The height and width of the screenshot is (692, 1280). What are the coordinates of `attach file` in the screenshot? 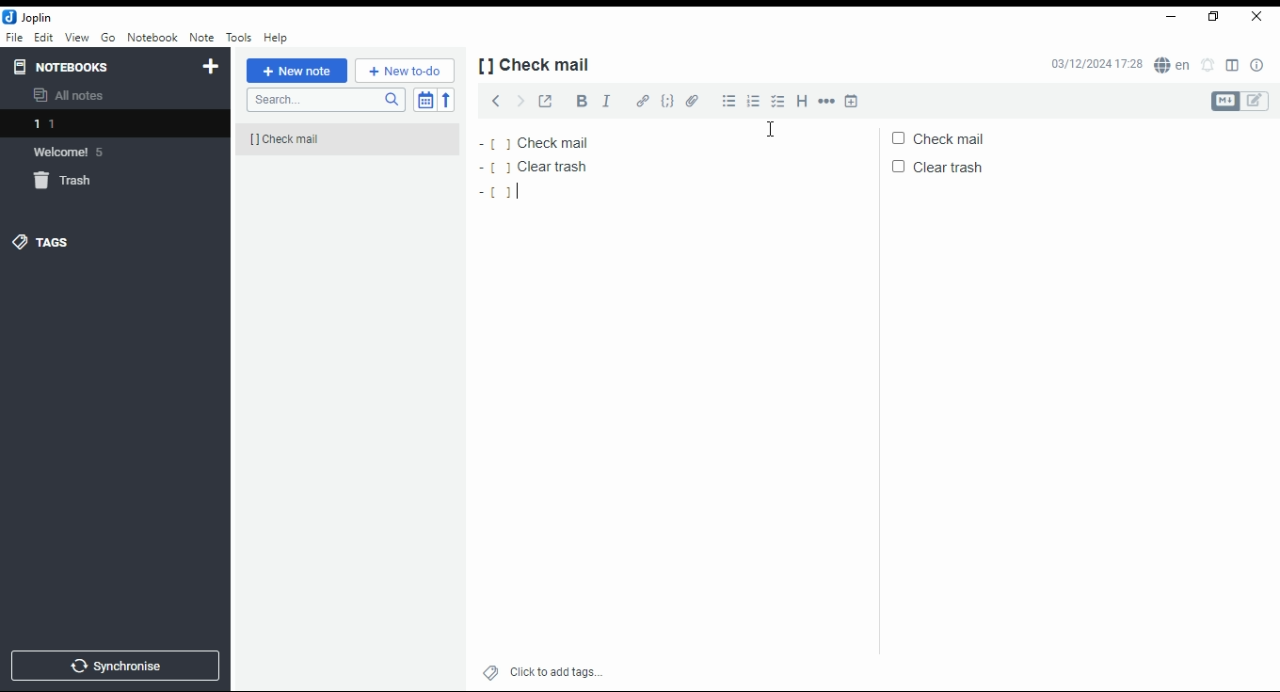 It's located at (691, 102).